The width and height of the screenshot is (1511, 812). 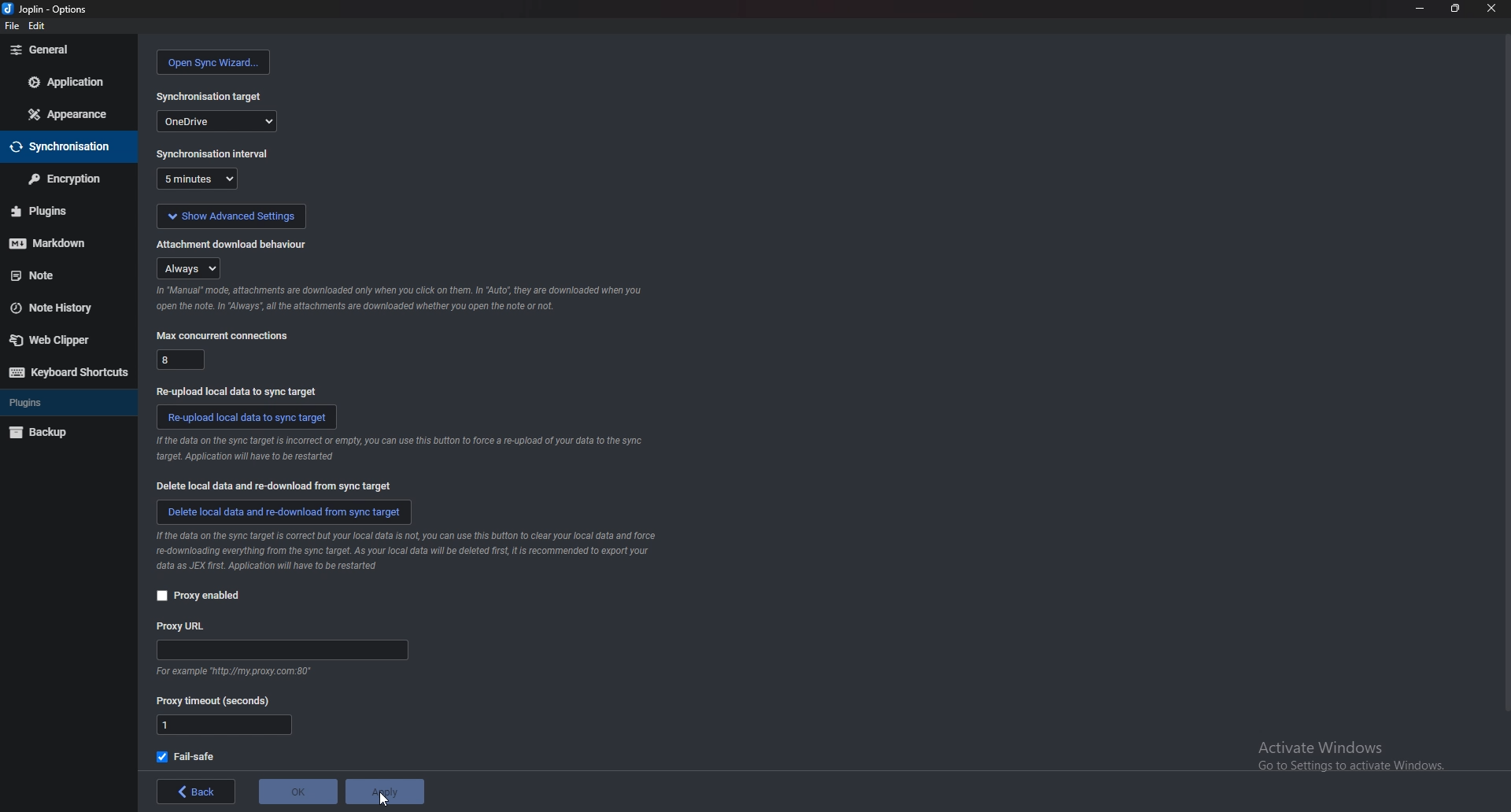 I want to click on info, so click(x=401, y=298).